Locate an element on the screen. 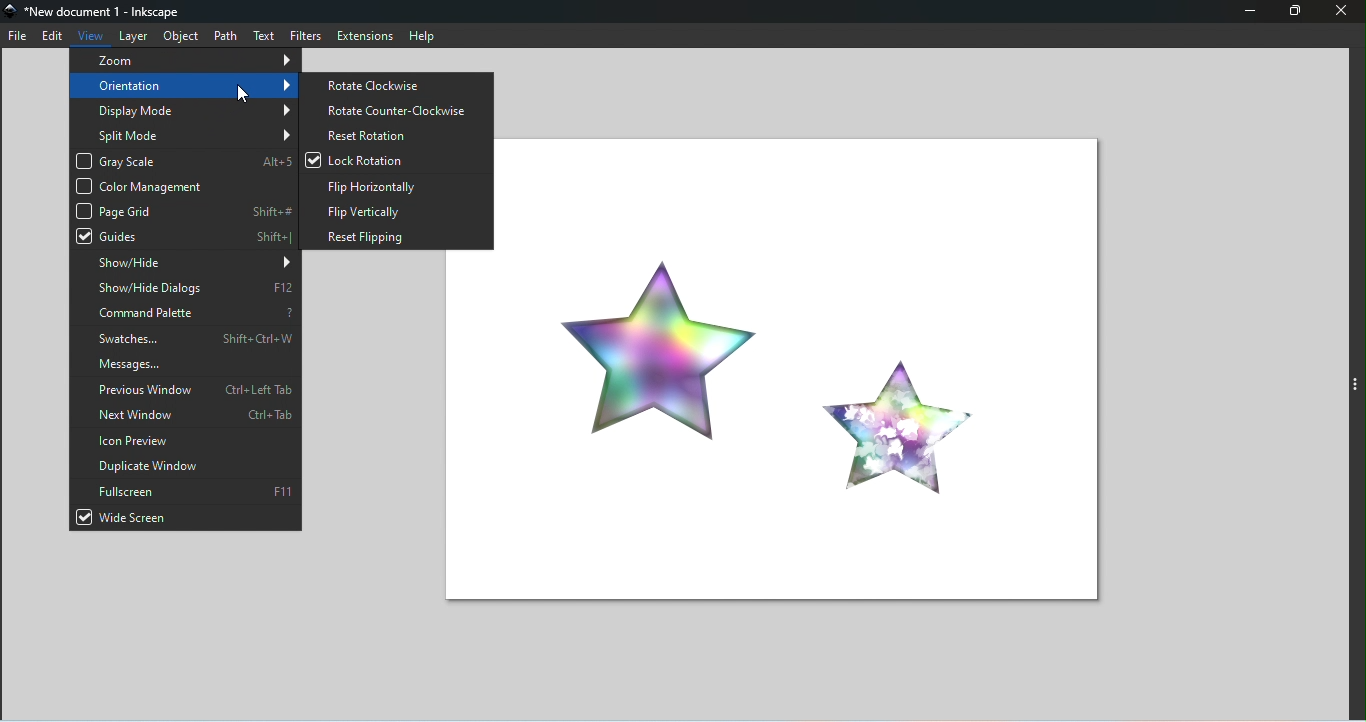 This screenshot has height=722, width=1366. Duplicate window is located at coordinates (187, 466).